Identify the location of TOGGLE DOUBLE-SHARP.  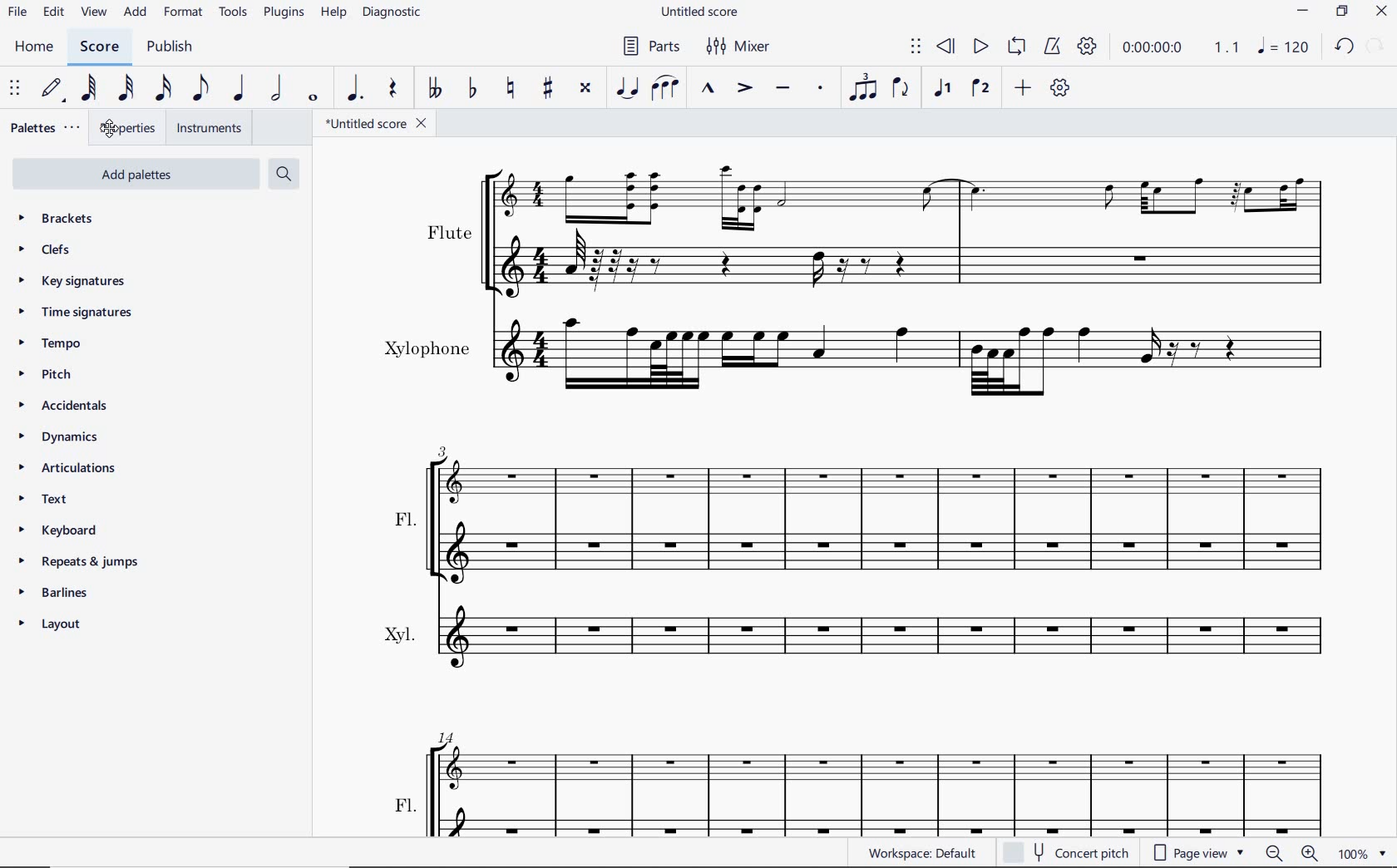
(587, 89).